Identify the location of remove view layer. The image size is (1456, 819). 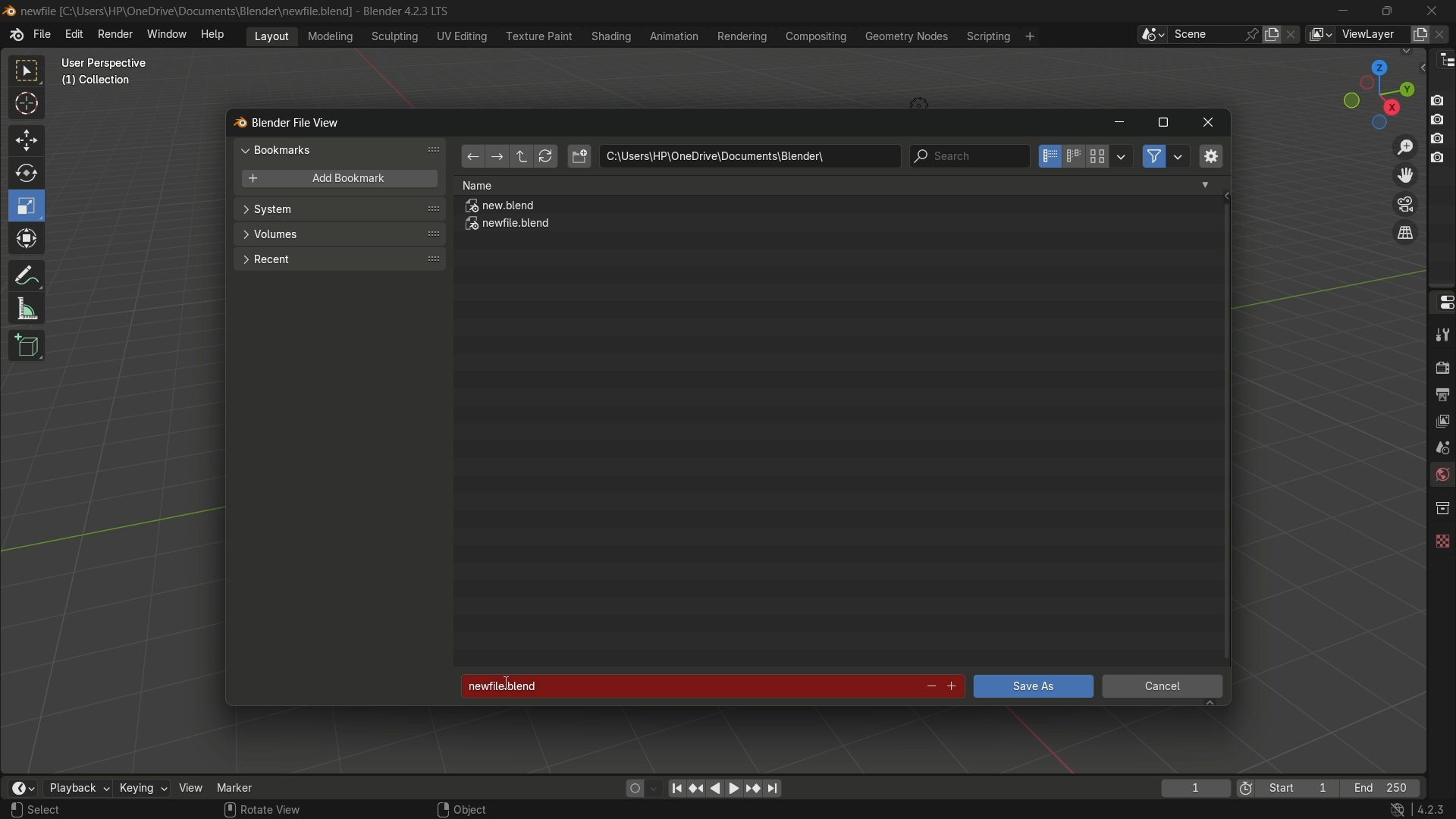
(1443, 33).